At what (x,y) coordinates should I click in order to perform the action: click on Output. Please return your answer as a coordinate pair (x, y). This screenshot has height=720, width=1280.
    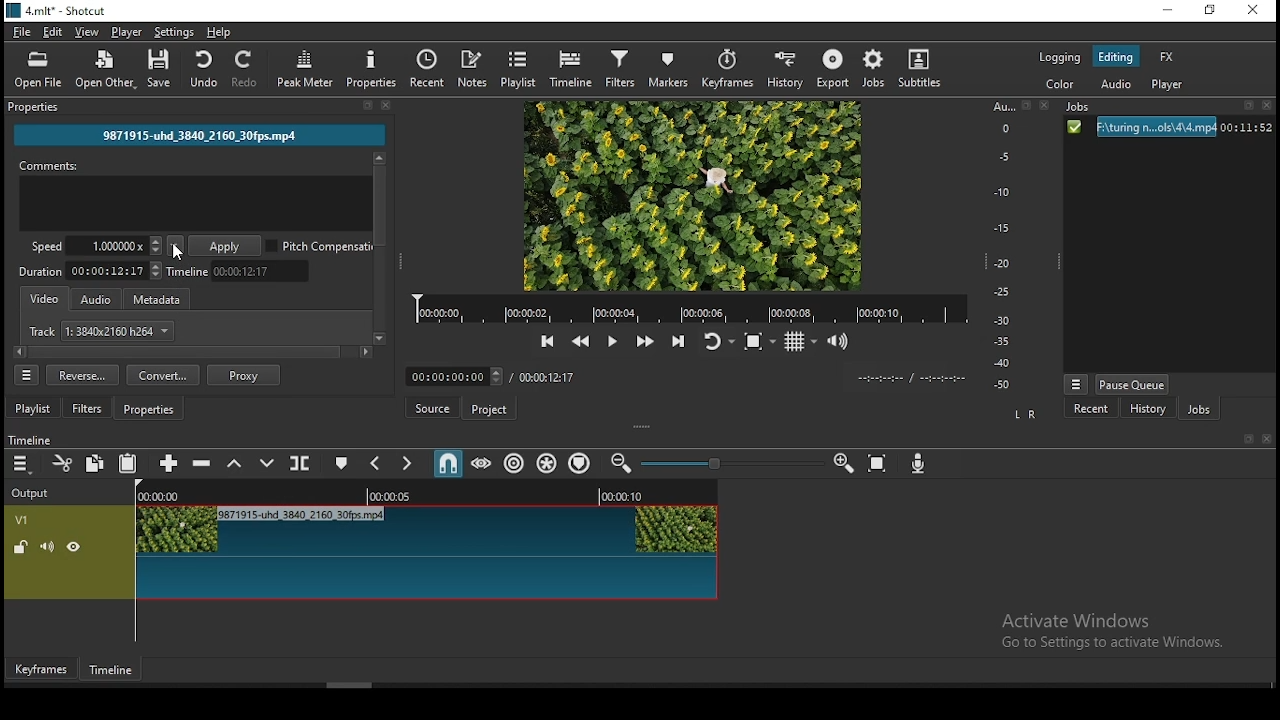
    Looking at the image, I should click on (31, 492).